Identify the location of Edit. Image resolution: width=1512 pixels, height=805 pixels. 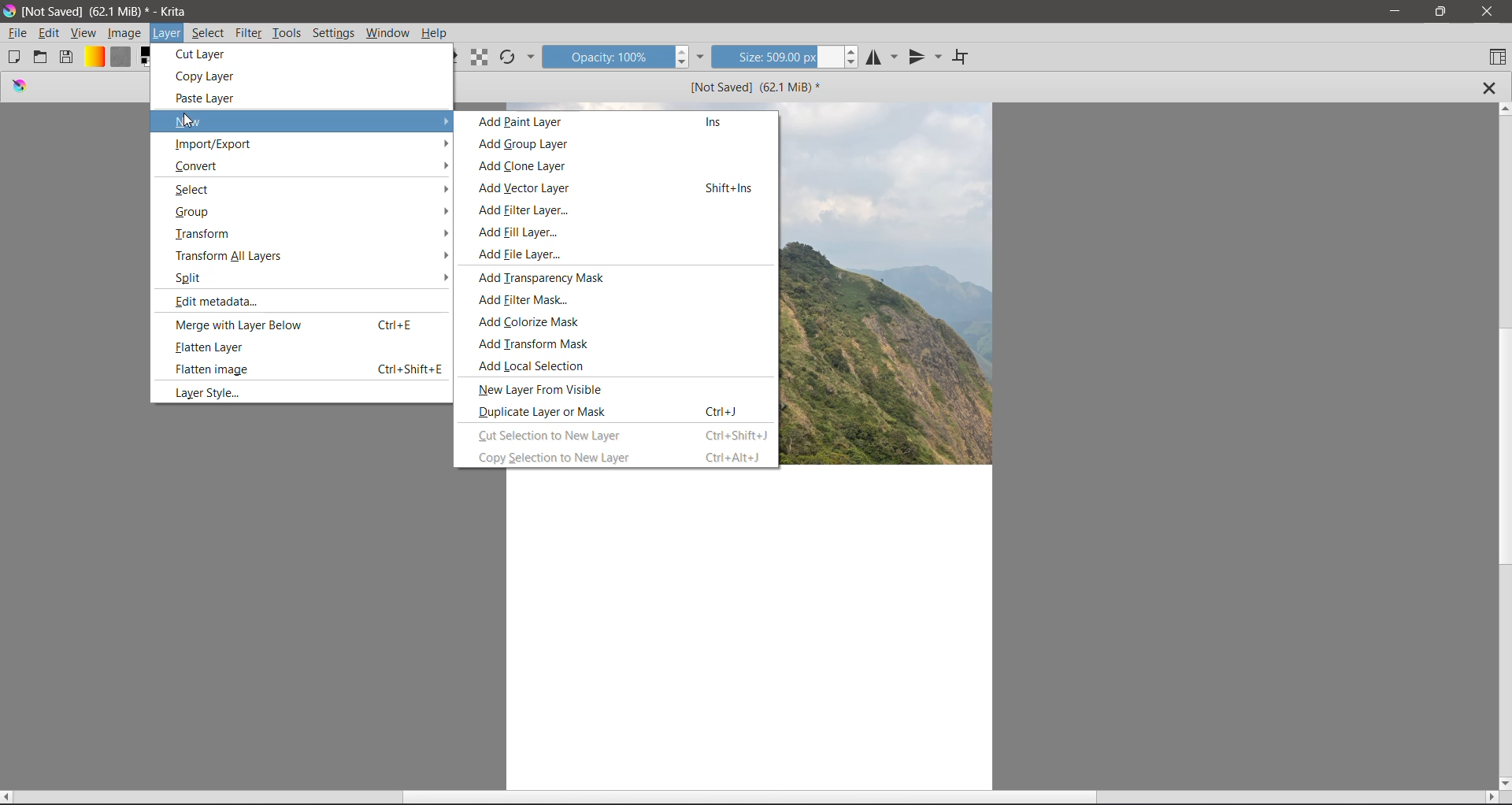
(50, 33).